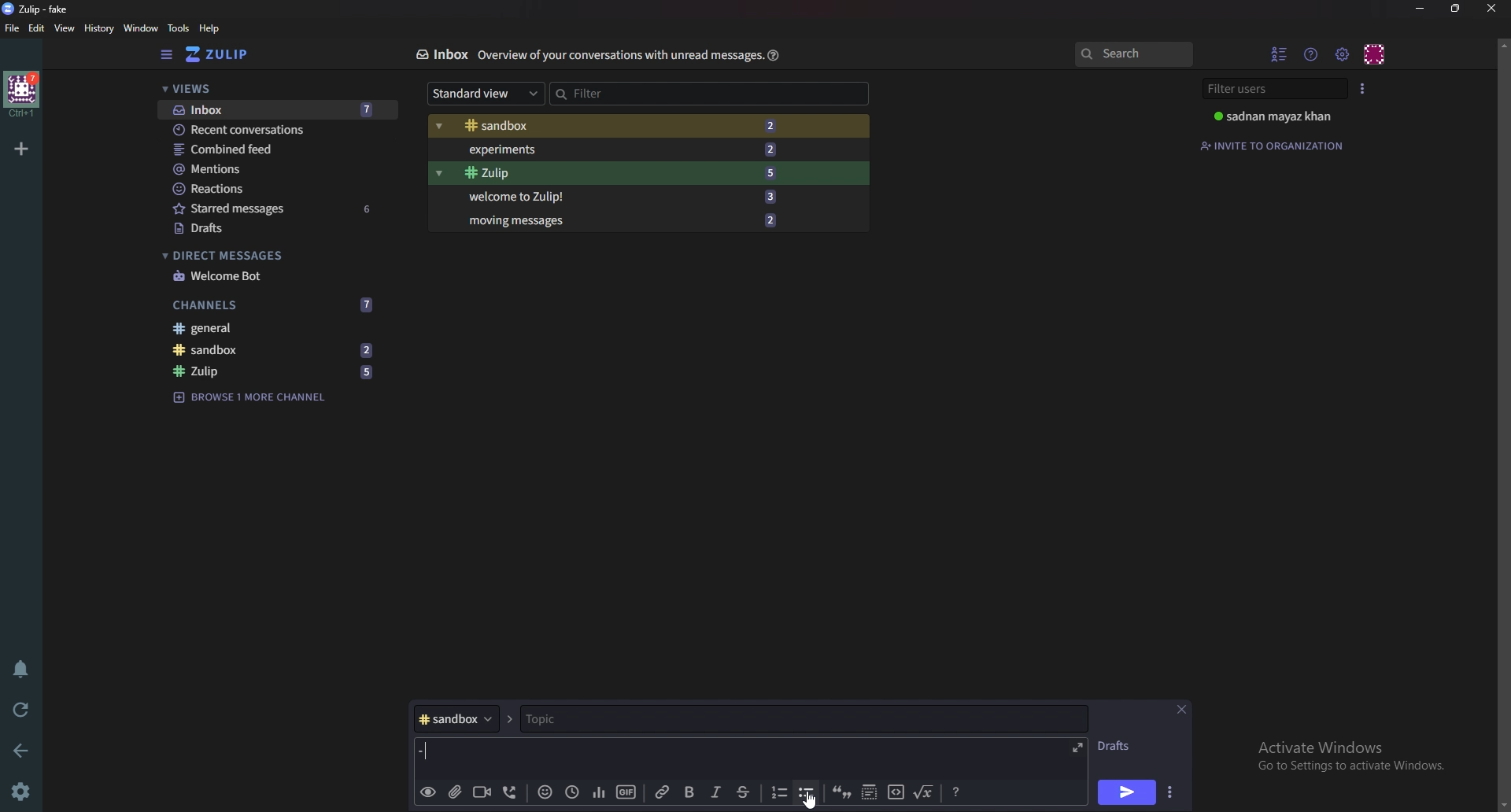 This screenshot has height=812, width=1511. Describe the element at coordinates (271, 256) in the screenshot. I see `Direct messages` at that location.